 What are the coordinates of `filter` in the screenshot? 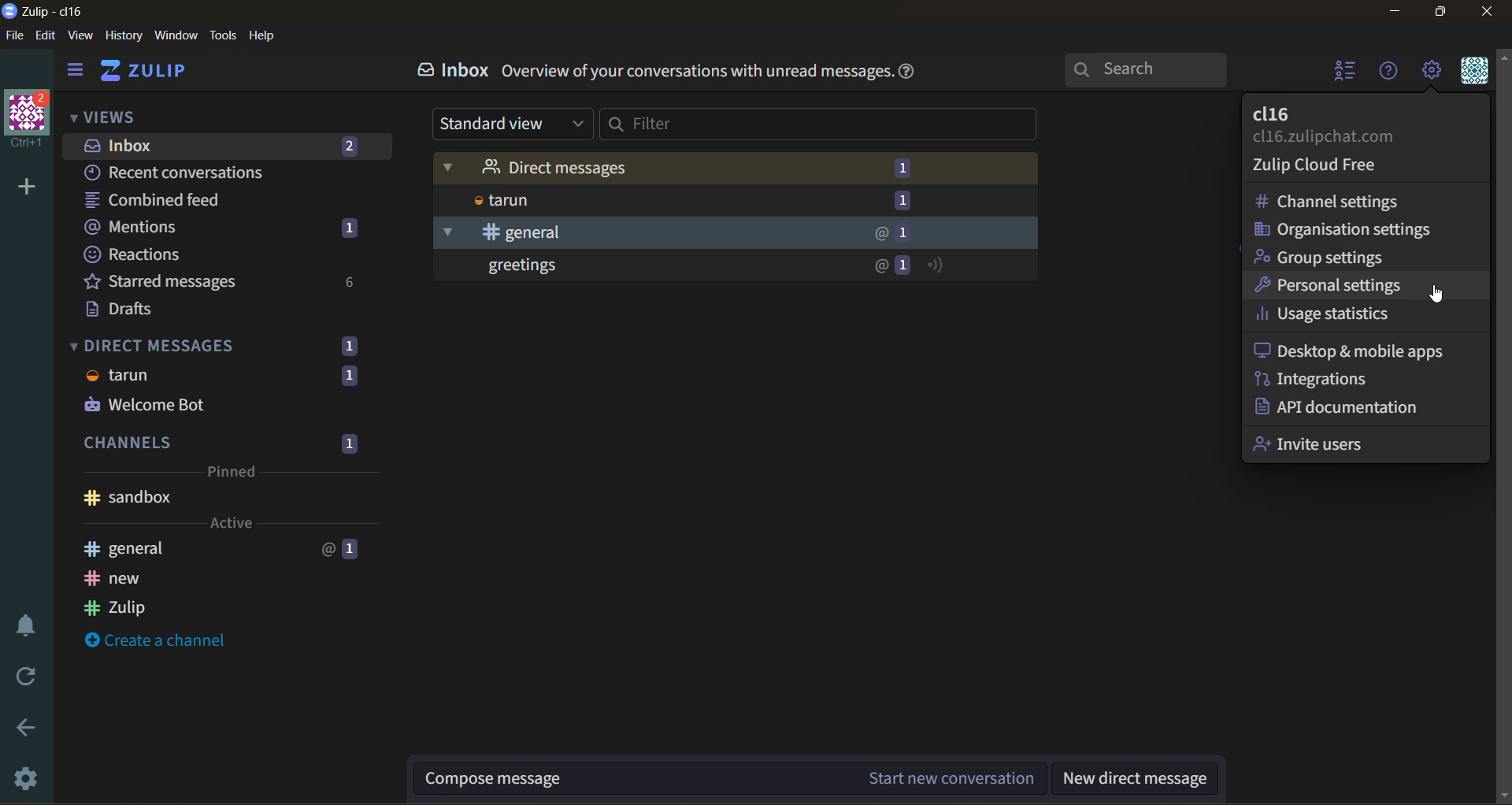 It's located at (817, 124).